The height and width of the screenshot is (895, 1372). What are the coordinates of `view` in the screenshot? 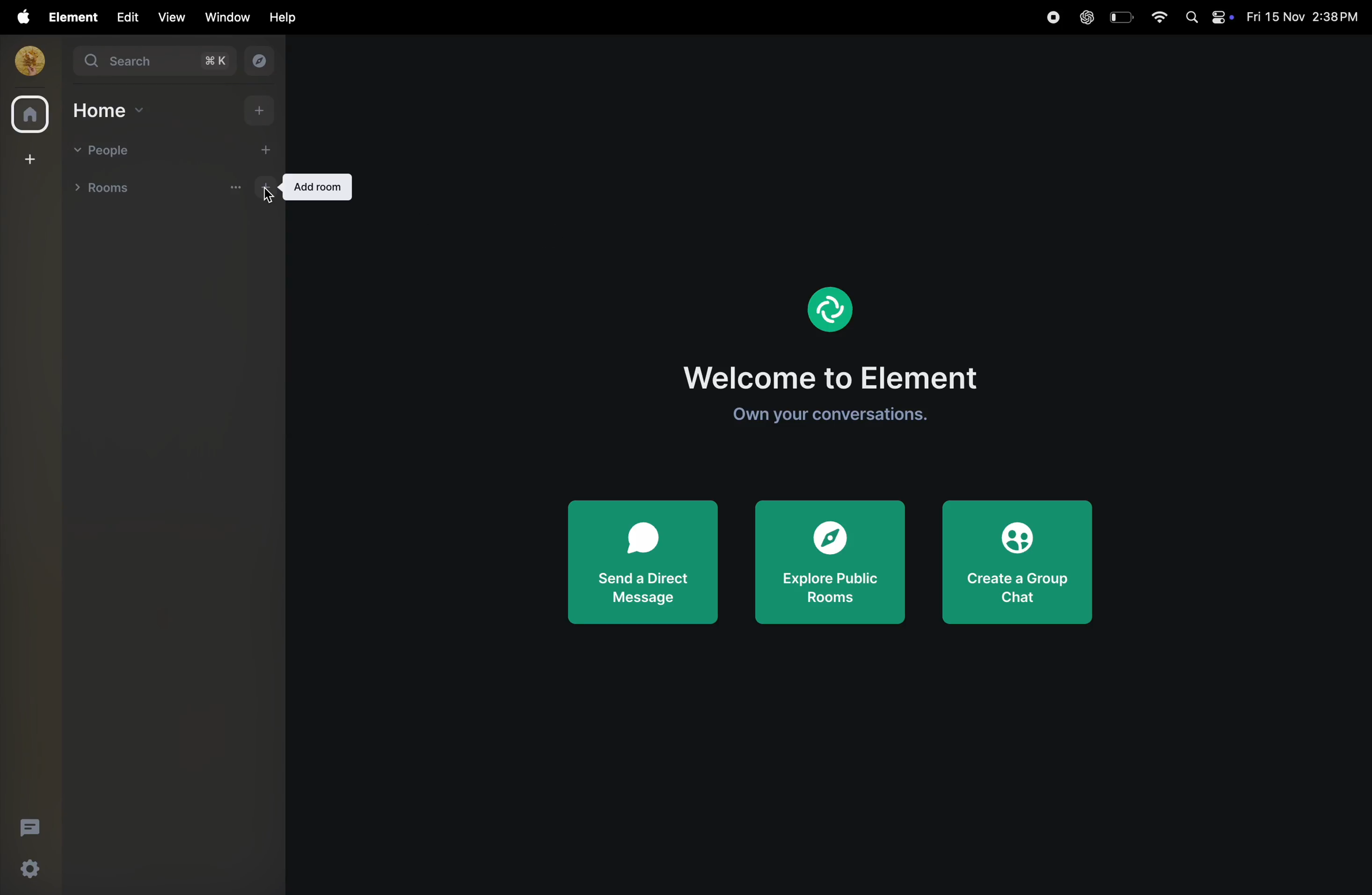 It's located at (170, 17).